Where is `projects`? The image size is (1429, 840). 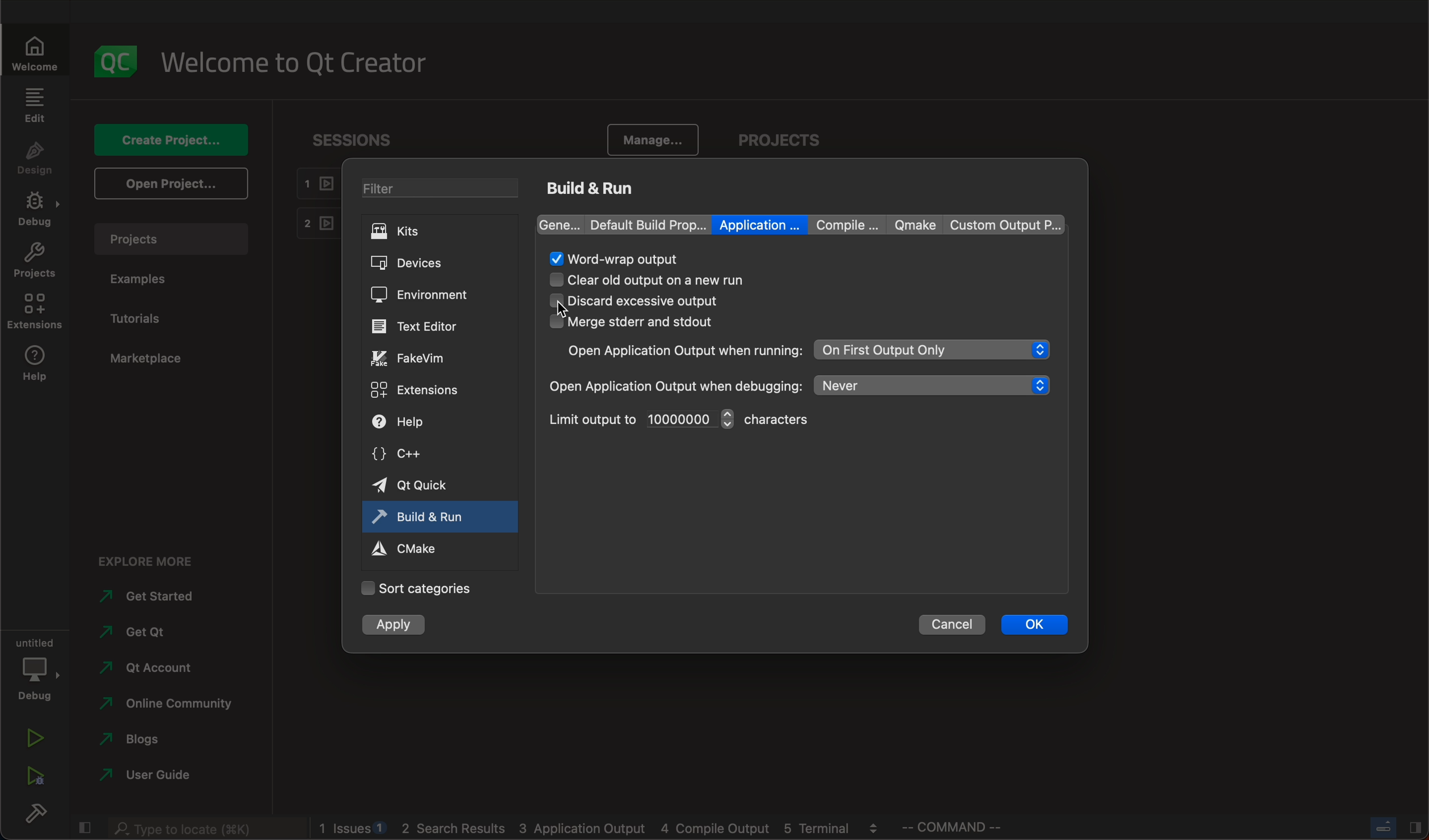 projects is located at coordinates (779, 130).